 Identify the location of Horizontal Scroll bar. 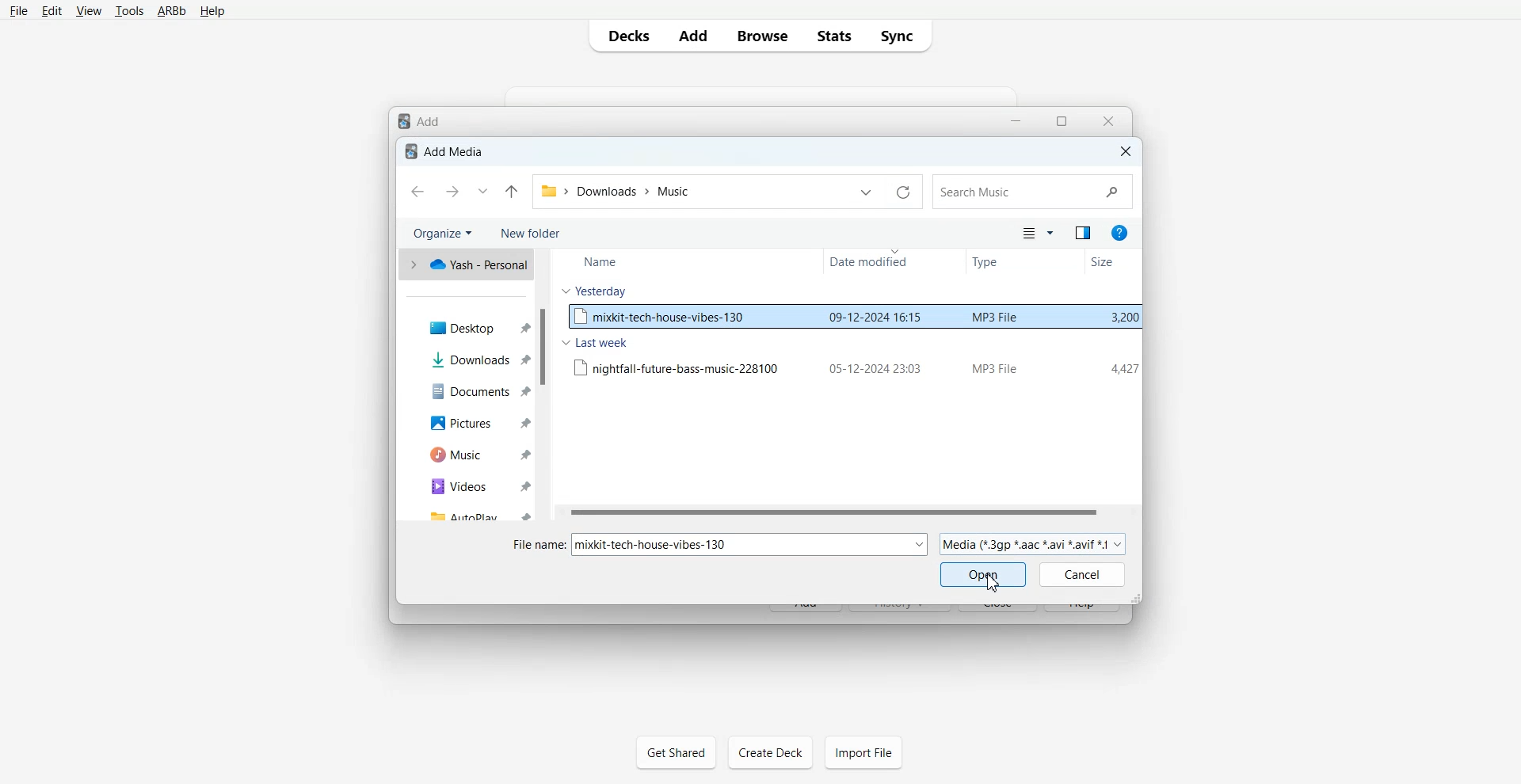
(846, 512).